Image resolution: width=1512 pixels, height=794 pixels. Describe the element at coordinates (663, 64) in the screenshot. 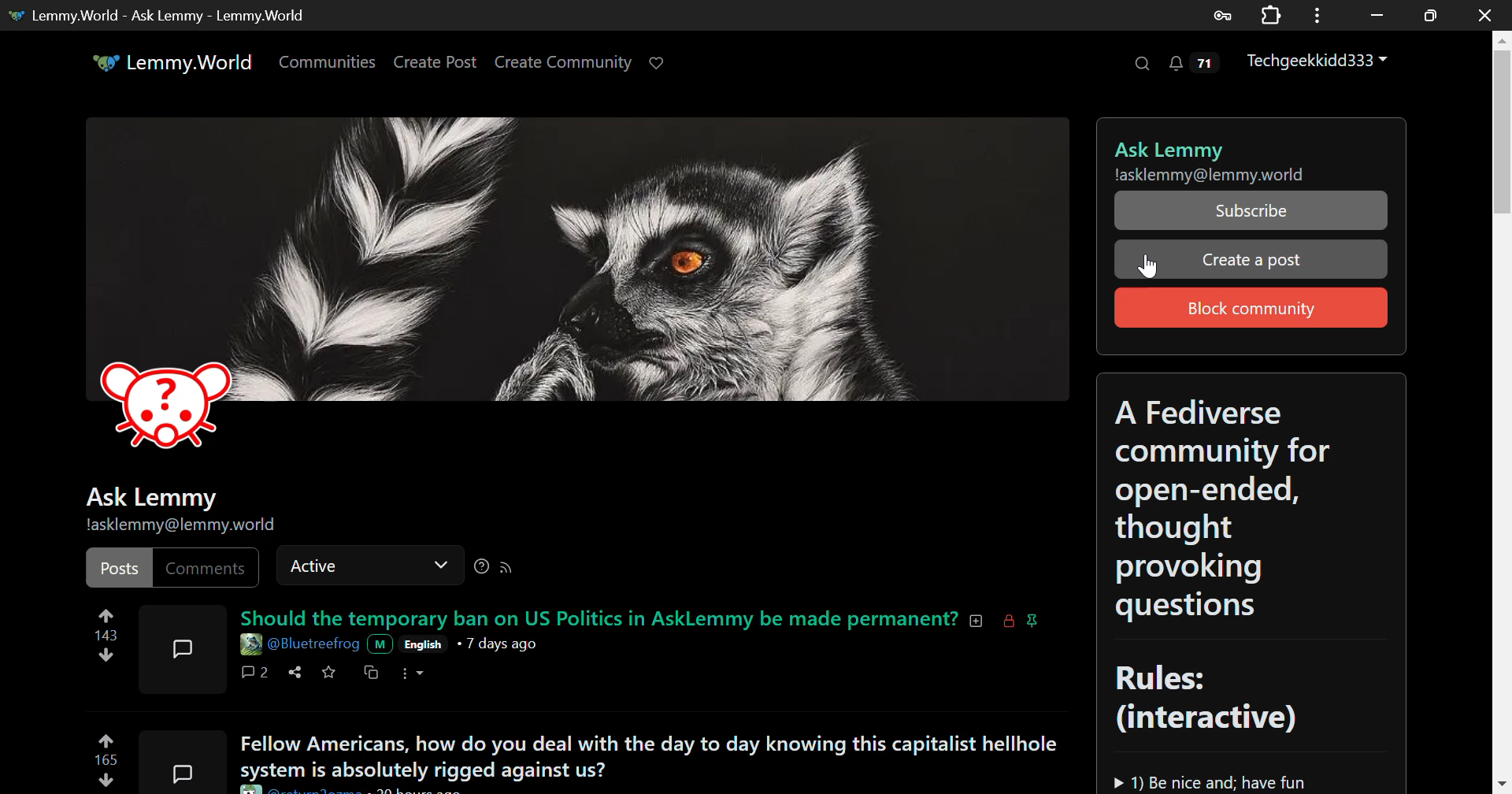

I see `Donate` at that location.